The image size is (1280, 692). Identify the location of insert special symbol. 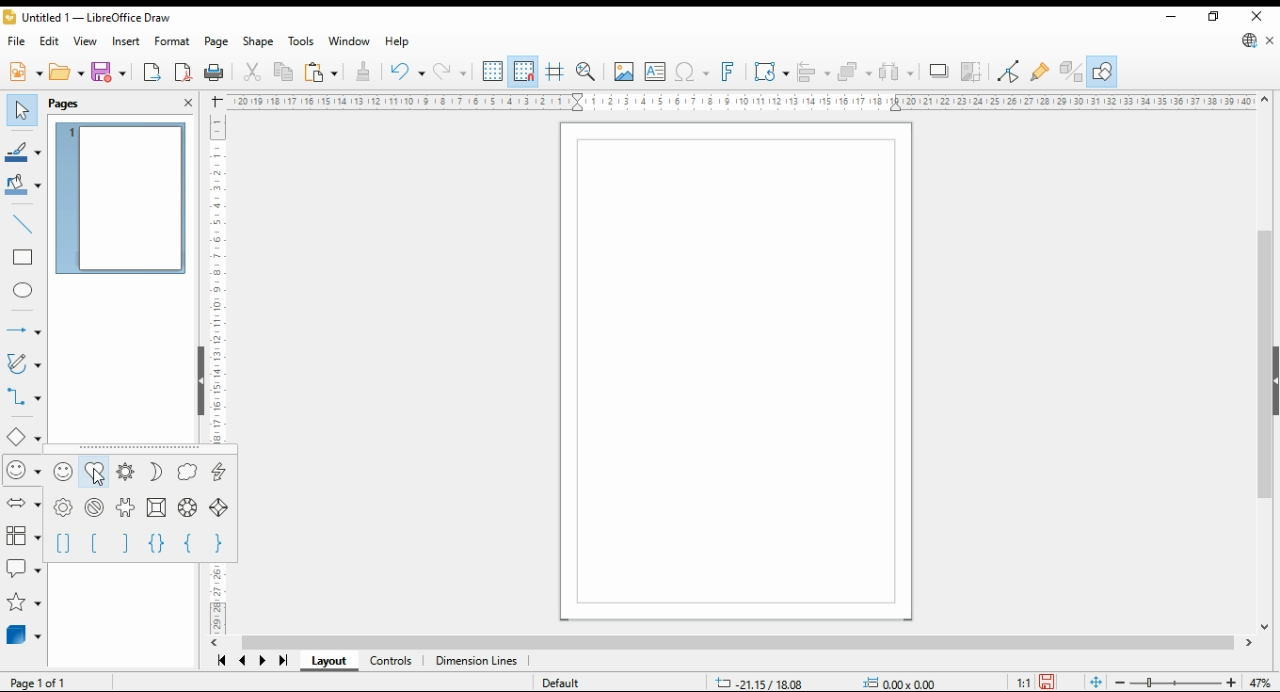
(692, 72).